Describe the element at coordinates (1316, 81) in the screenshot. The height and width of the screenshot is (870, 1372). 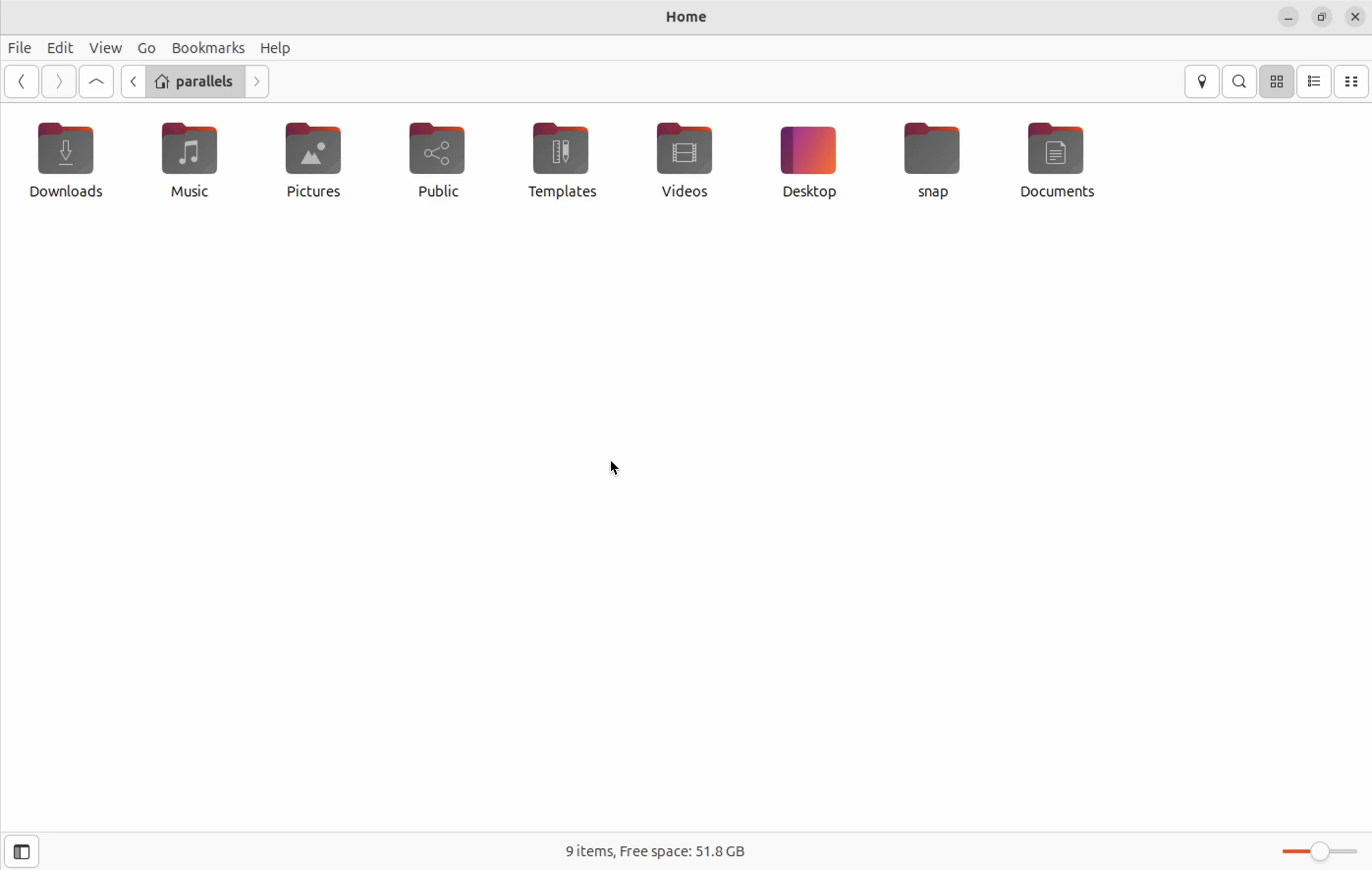
I see `list view` at that location.